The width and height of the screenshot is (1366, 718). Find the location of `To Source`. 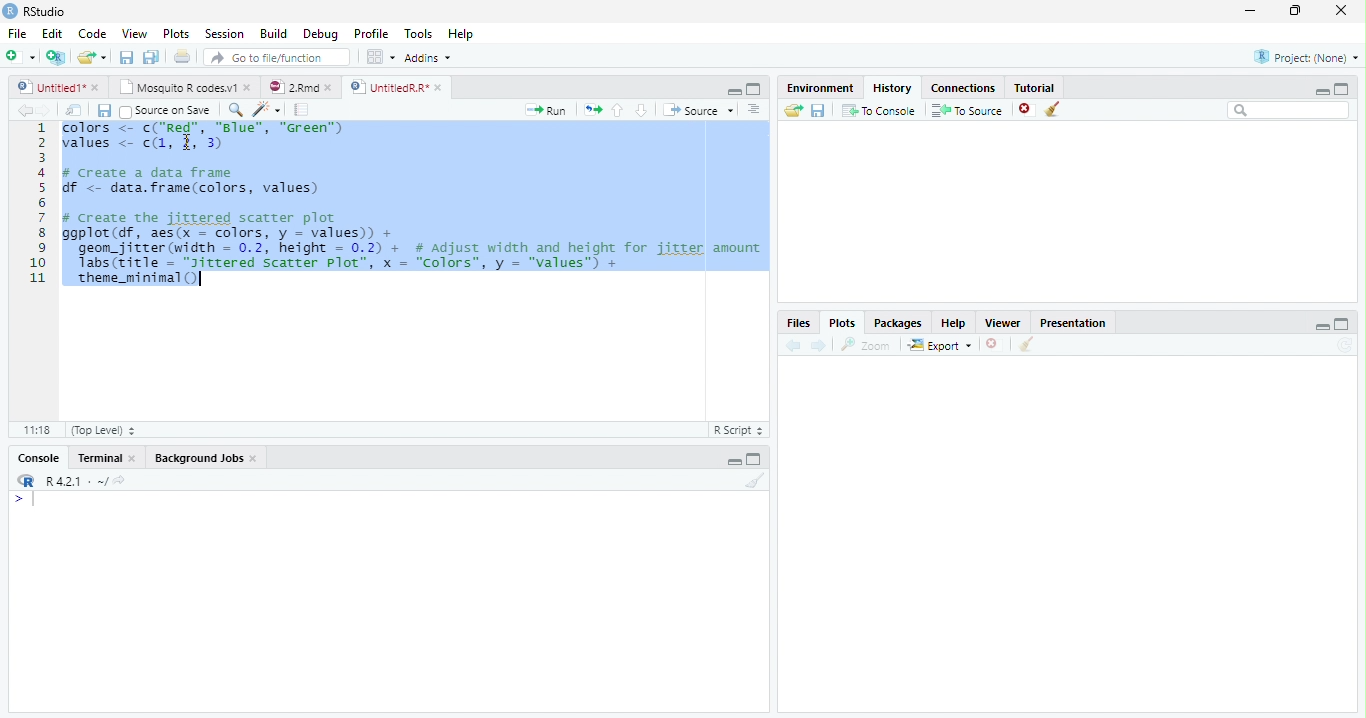

To Source is located at coordinates (968, 110).